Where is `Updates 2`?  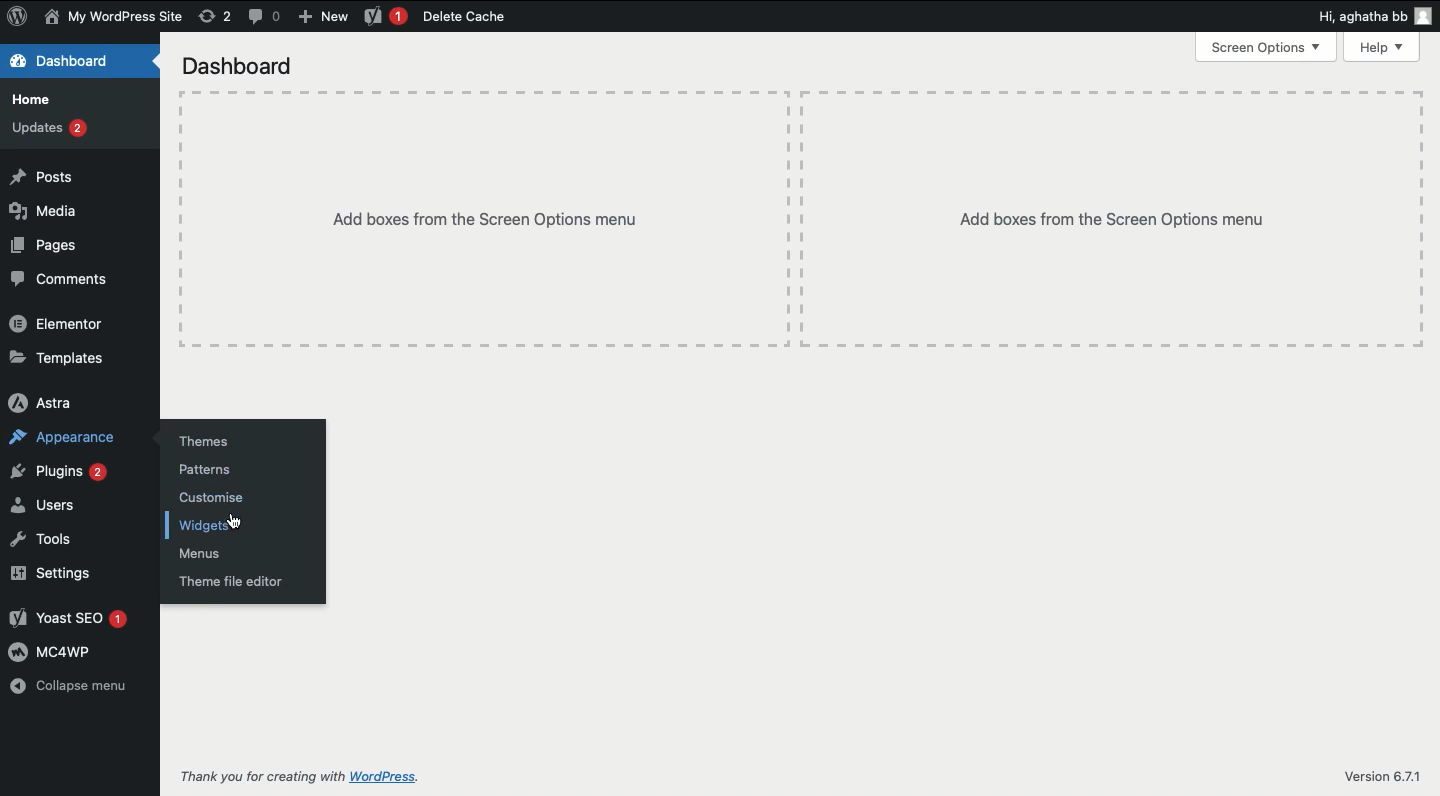
Updates 2 is located at coordinates (55, 130).